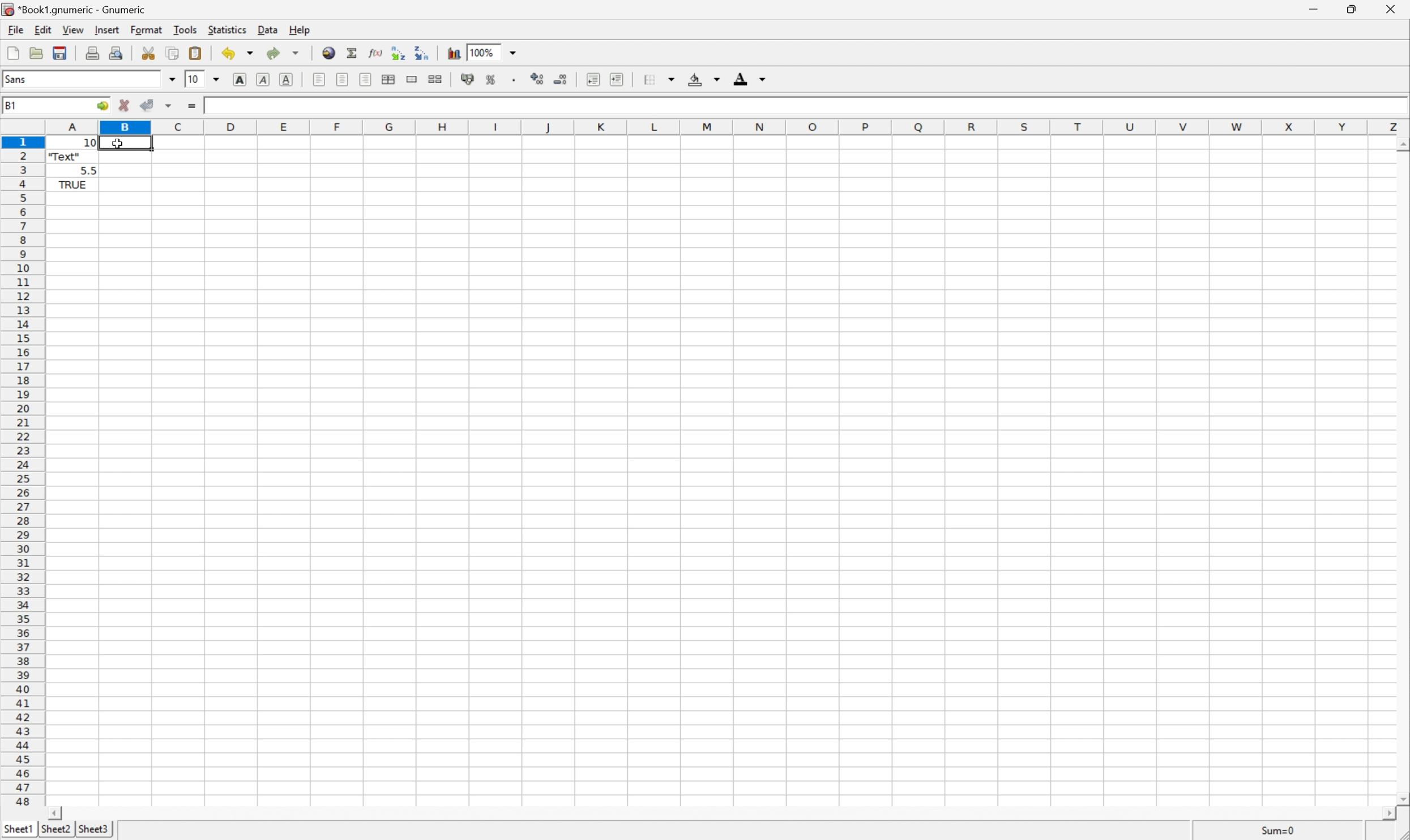  I want to click on Accept changes in multiple cells, so click(168, 106).